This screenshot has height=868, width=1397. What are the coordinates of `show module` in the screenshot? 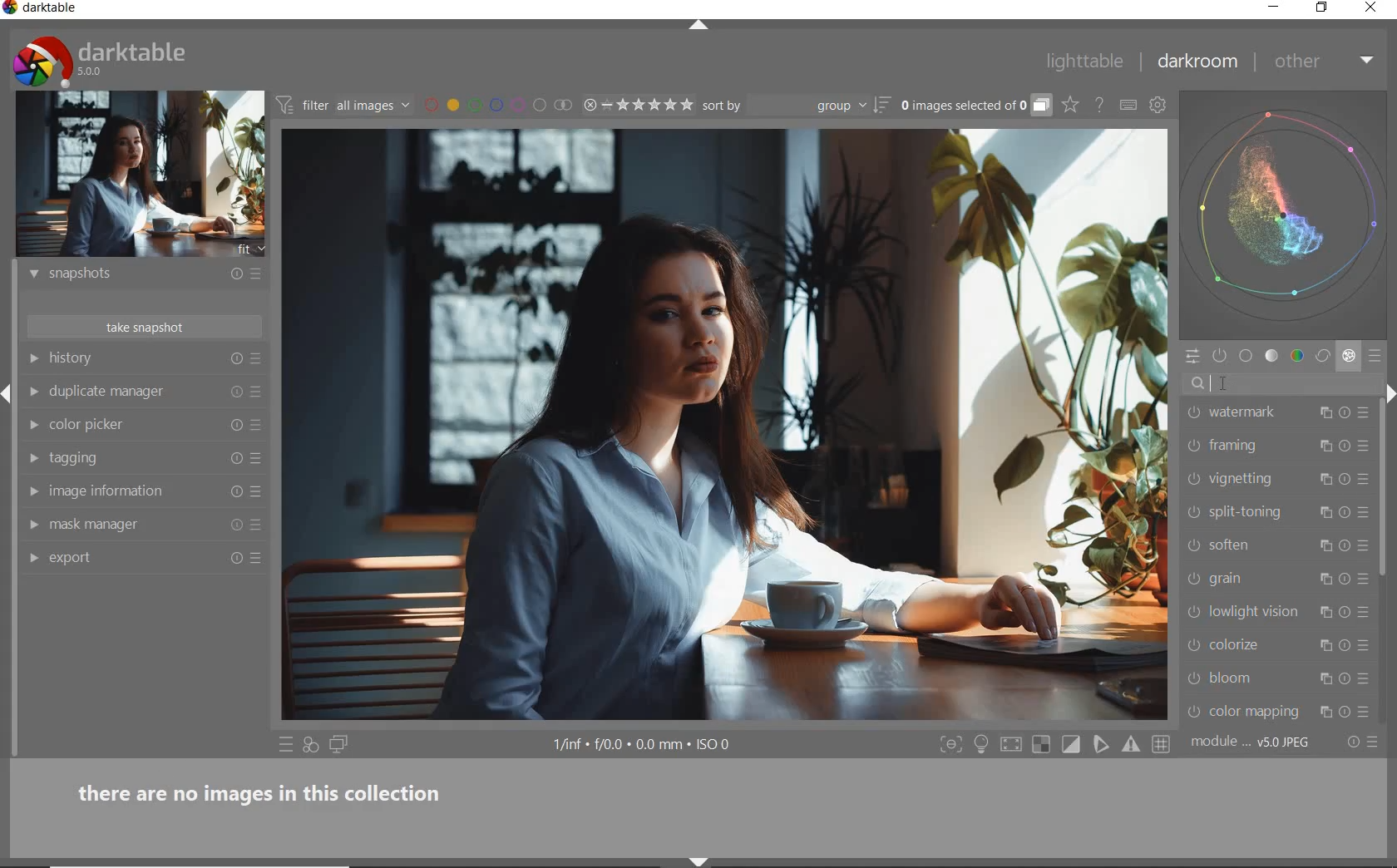 It's located at (32, 274).